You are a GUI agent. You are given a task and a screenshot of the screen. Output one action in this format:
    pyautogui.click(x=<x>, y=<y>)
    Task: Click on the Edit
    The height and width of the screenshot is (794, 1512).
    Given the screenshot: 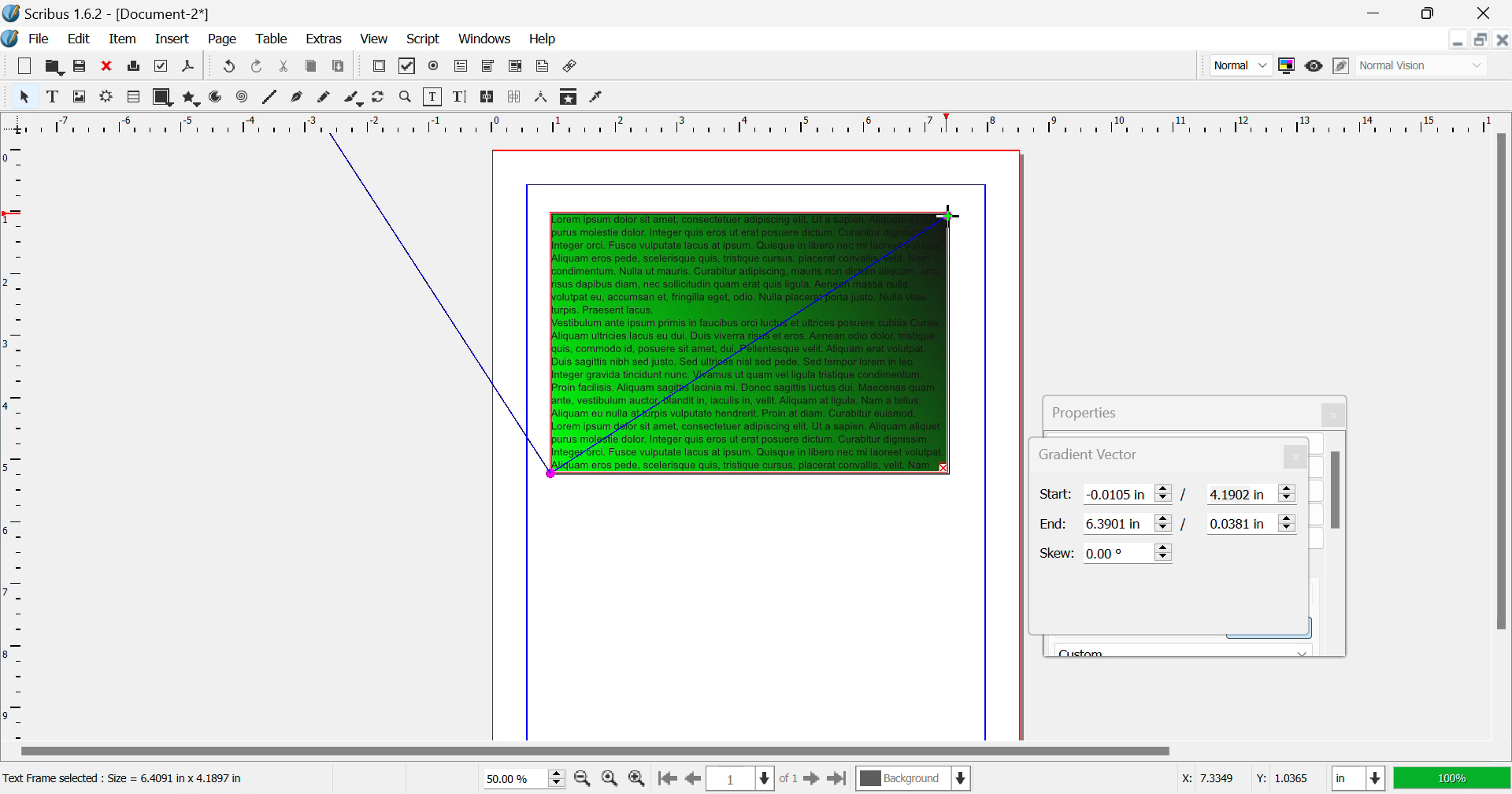 What is the action you would take?
    pyautogui.click(x=76, y=39)
    